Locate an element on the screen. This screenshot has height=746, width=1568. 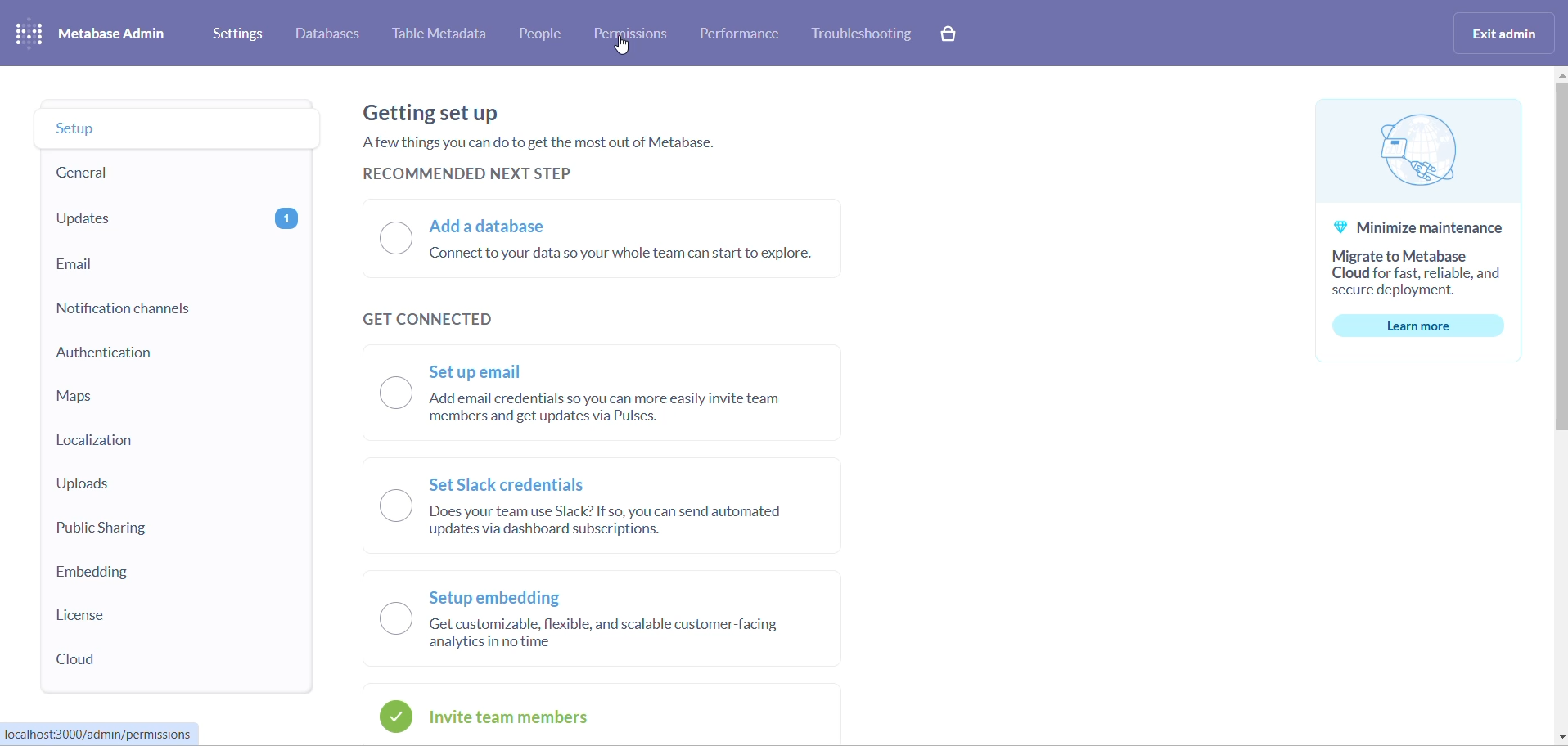
uploads is located at coordinates (139, 492).